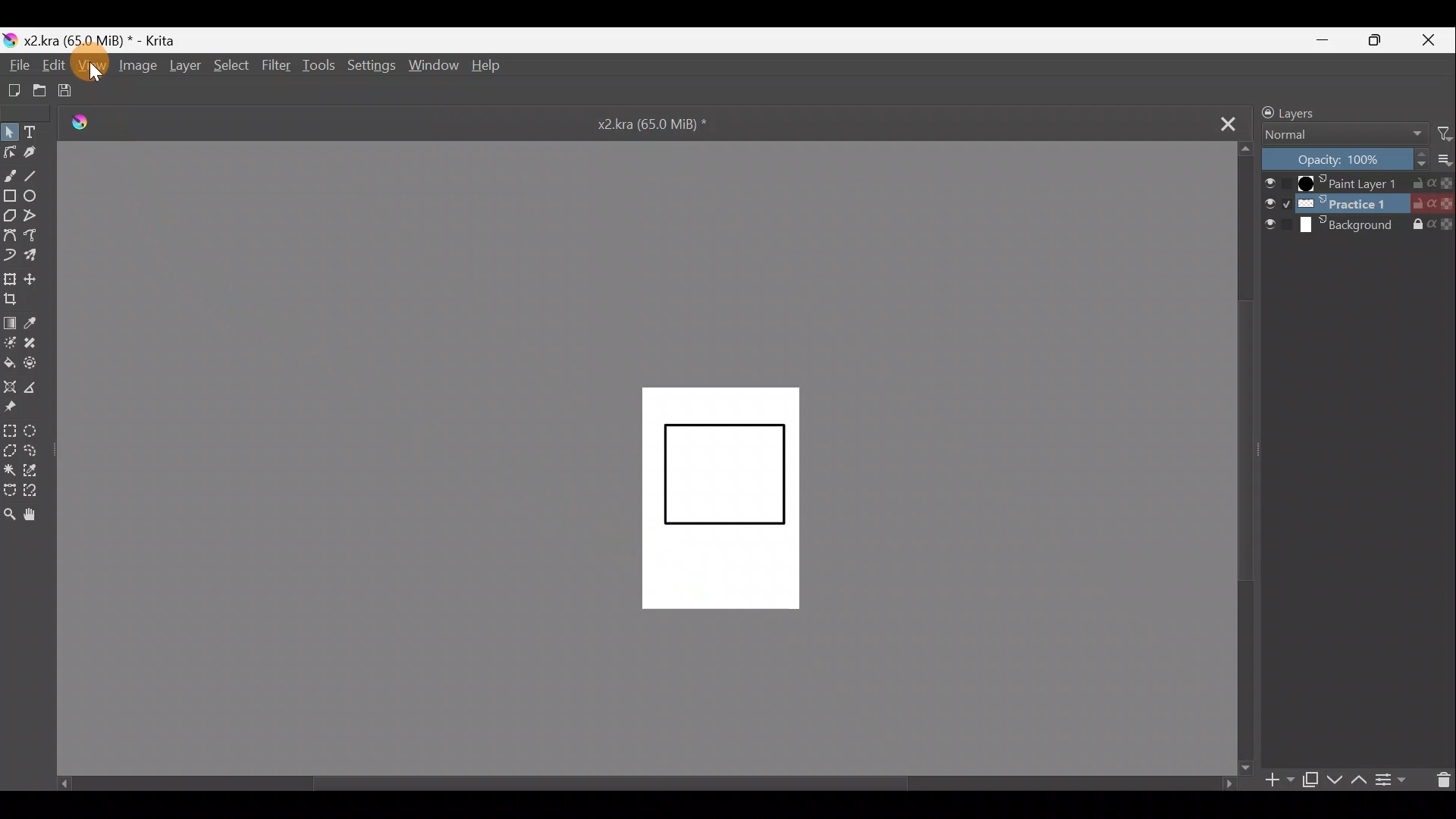  Describe the element at coordinates (1395, 780) in the screenshot. I see `View /change layer properties` at that location.